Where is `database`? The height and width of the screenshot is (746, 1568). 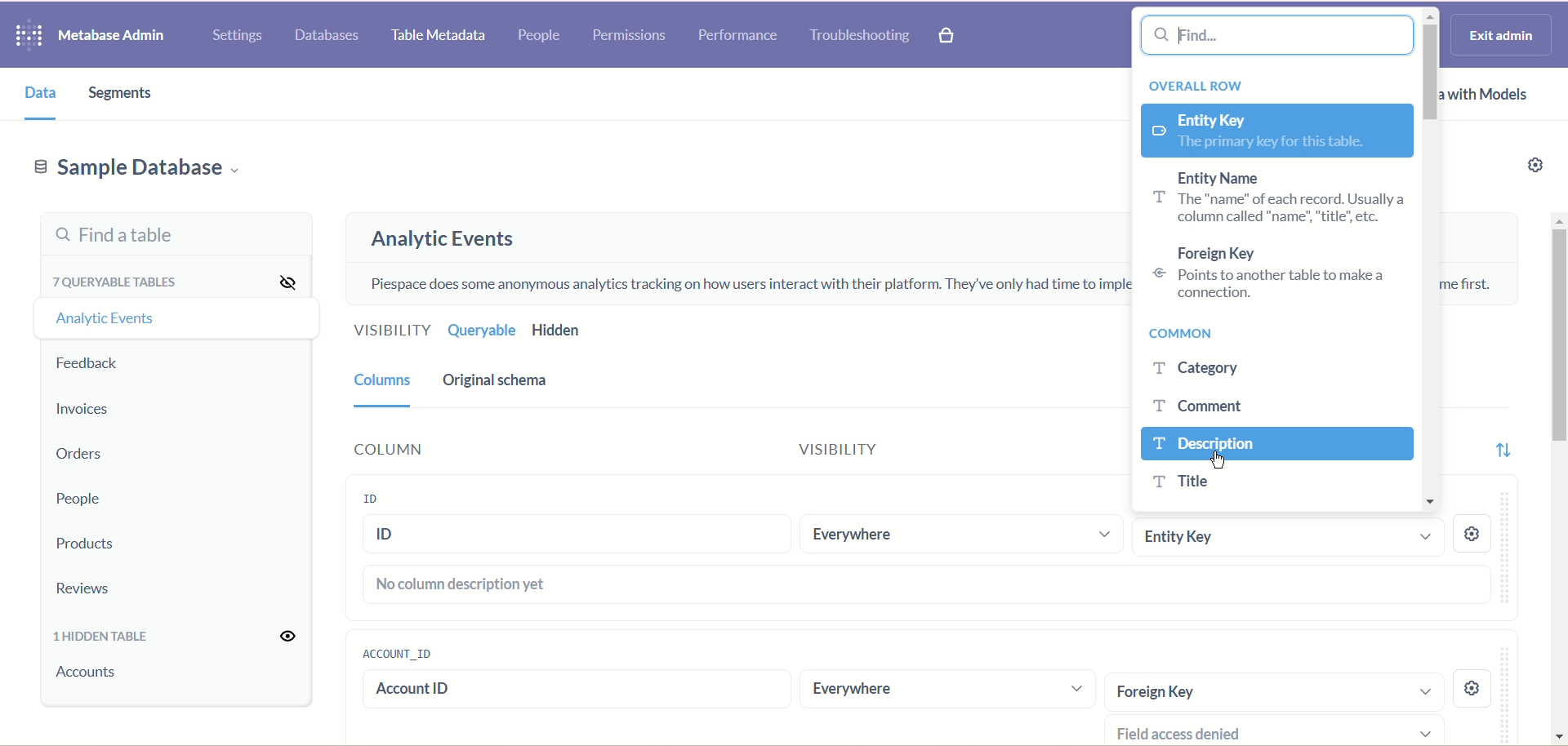
database is located at coordinates (330, 36).